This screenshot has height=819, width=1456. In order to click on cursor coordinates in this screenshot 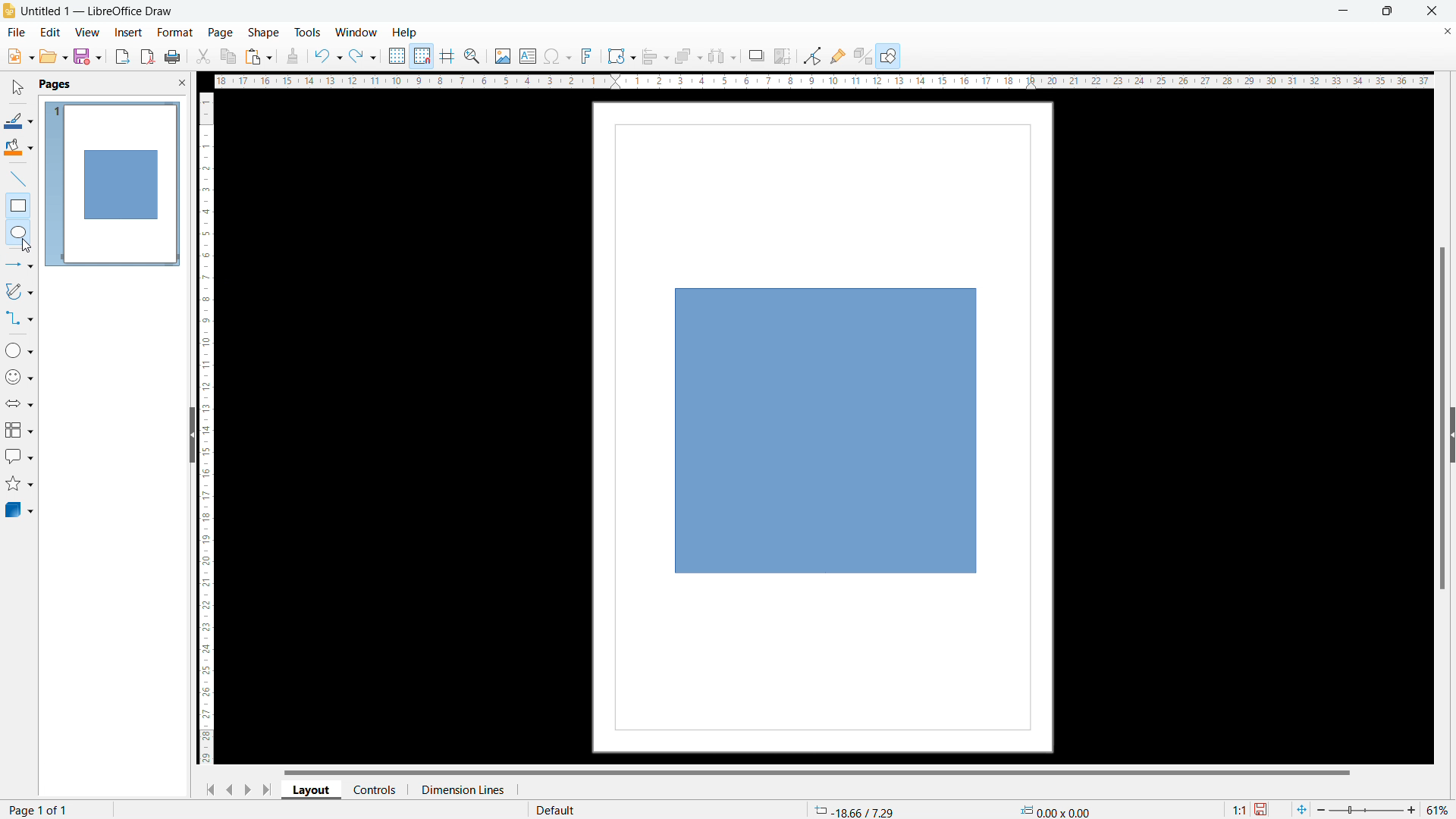, I will do `click(853, 808)`.